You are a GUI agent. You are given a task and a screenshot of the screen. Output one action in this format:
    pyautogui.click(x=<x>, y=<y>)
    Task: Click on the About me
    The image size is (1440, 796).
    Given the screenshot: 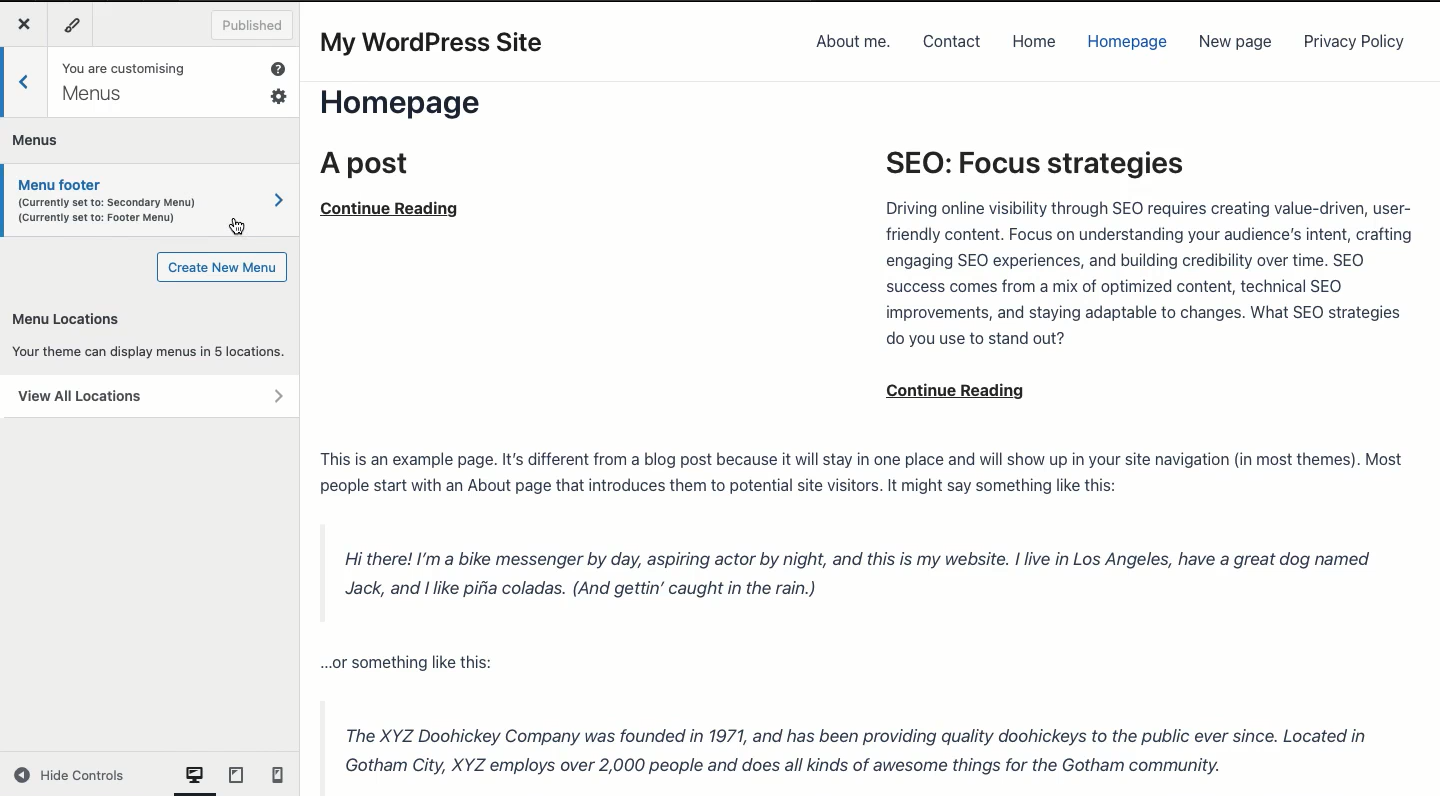 What is the action you would take?
    pyautogui.click(x=851, y=43)
    